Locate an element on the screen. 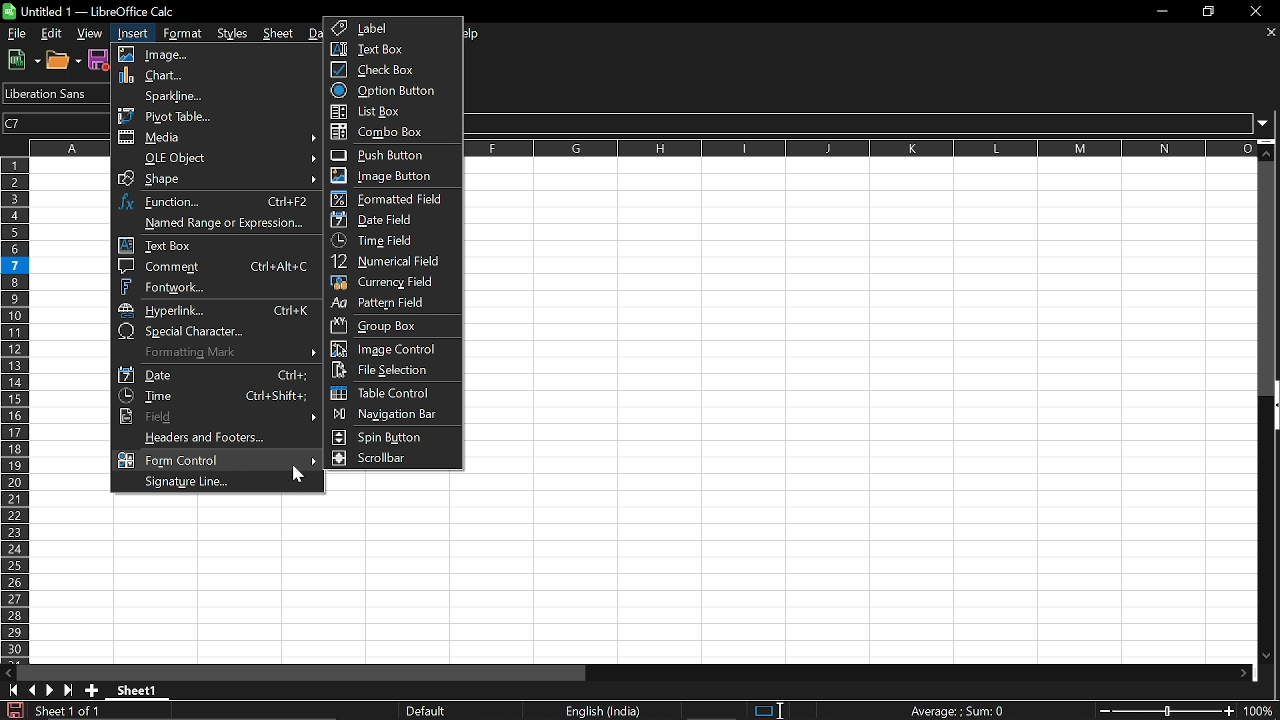 The height and width of the screenshot is (720, 1280). Language is located at coordinates (603, 712).